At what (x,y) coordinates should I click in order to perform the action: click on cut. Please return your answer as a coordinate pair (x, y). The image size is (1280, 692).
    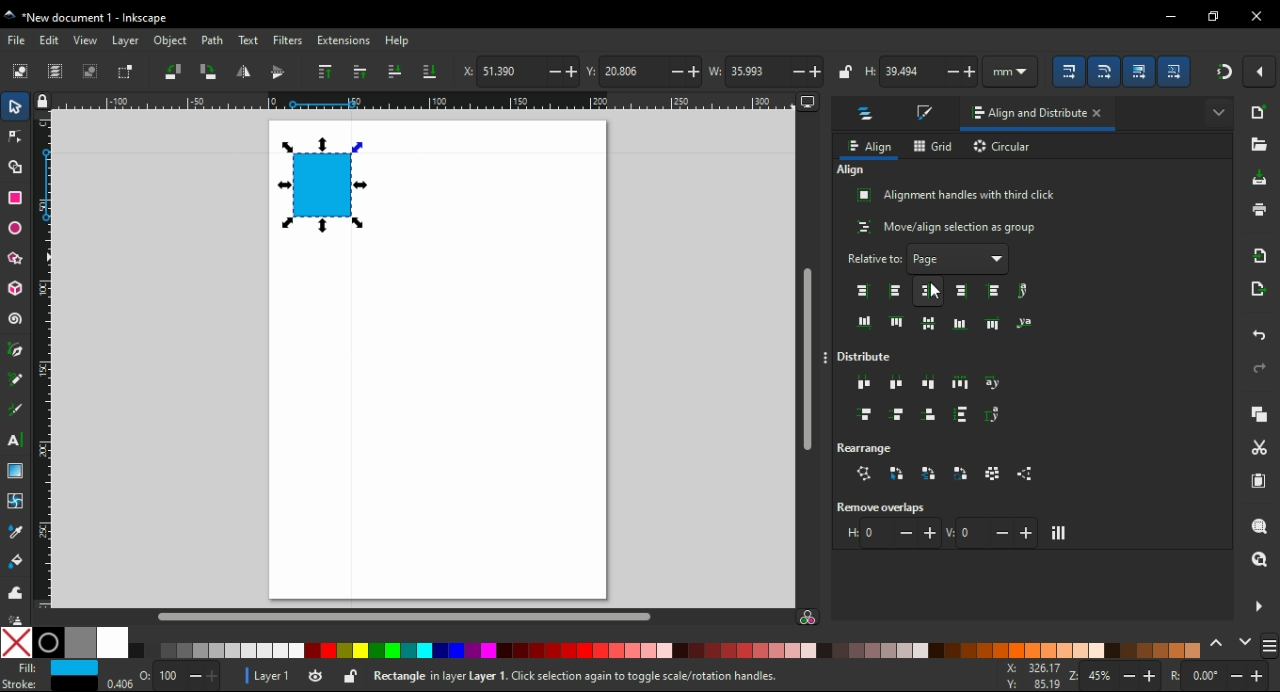
    Looking at the image, I should click on (1260, 448).